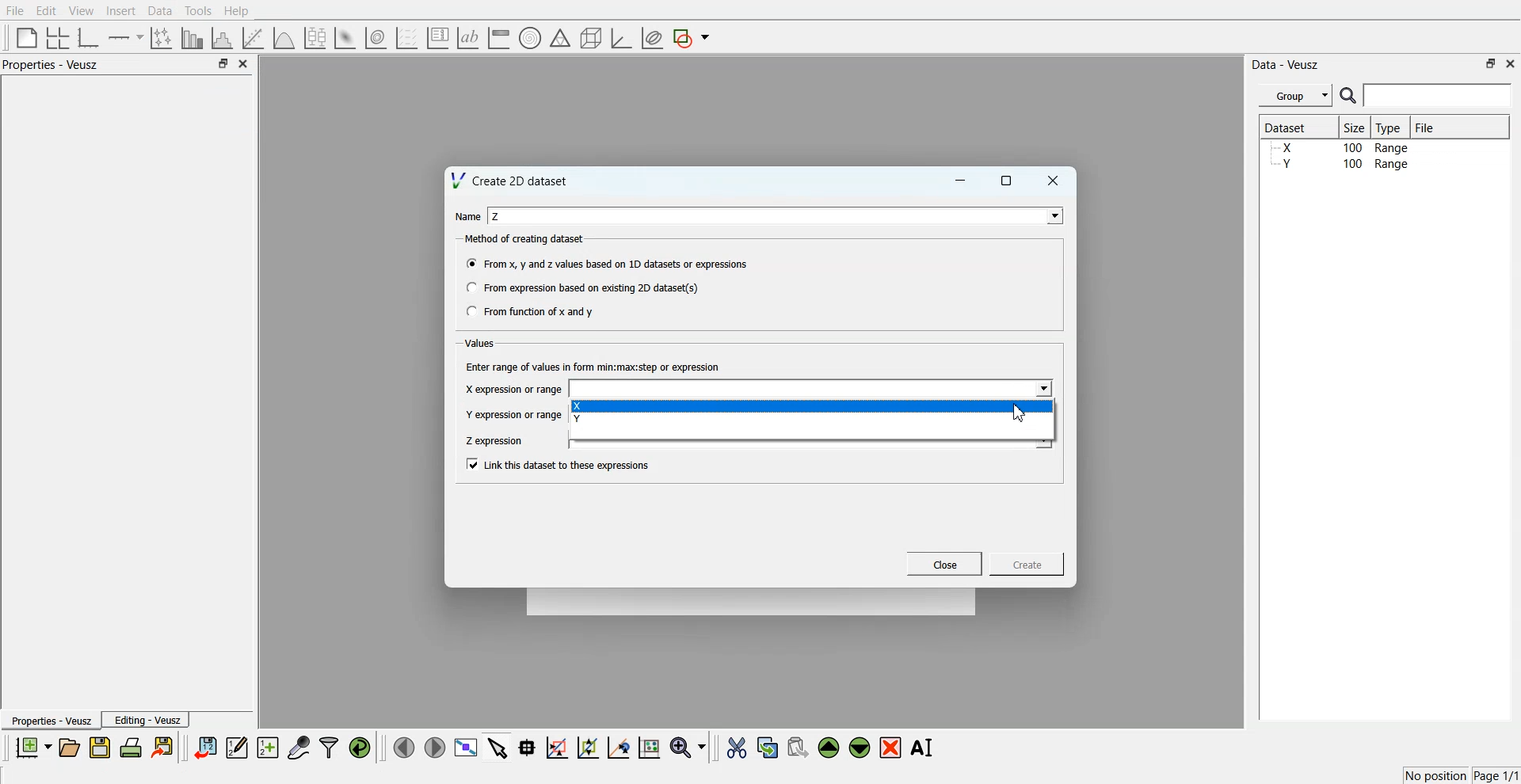 The width and height of the screenshot is (1521, 784). What do you see at coordinates (468, 38) in the screenshot?
I see `Text label` at bounding box center [468, 38].